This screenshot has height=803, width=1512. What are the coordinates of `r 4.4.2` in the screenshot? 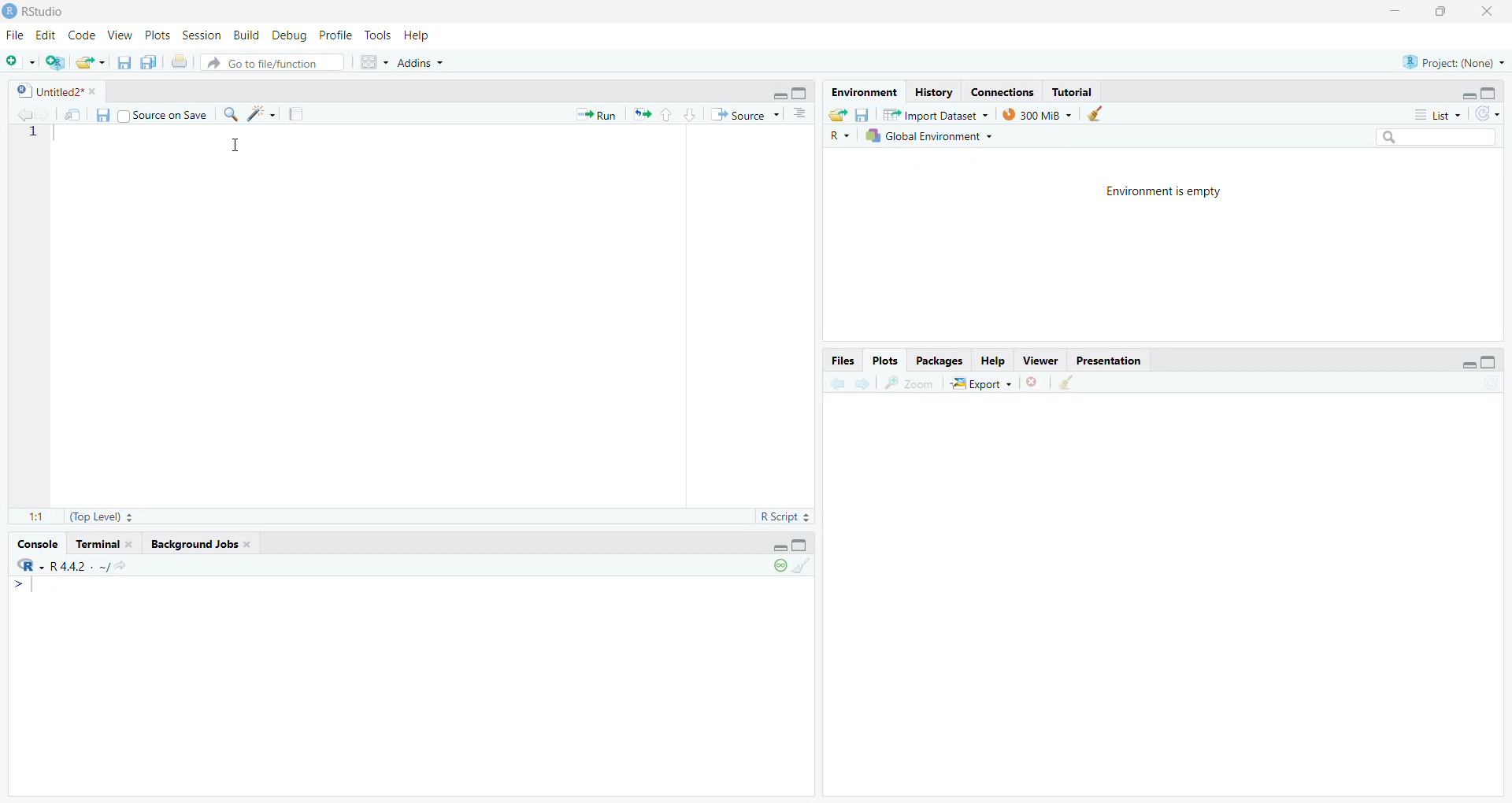 It's located at (79, 564).